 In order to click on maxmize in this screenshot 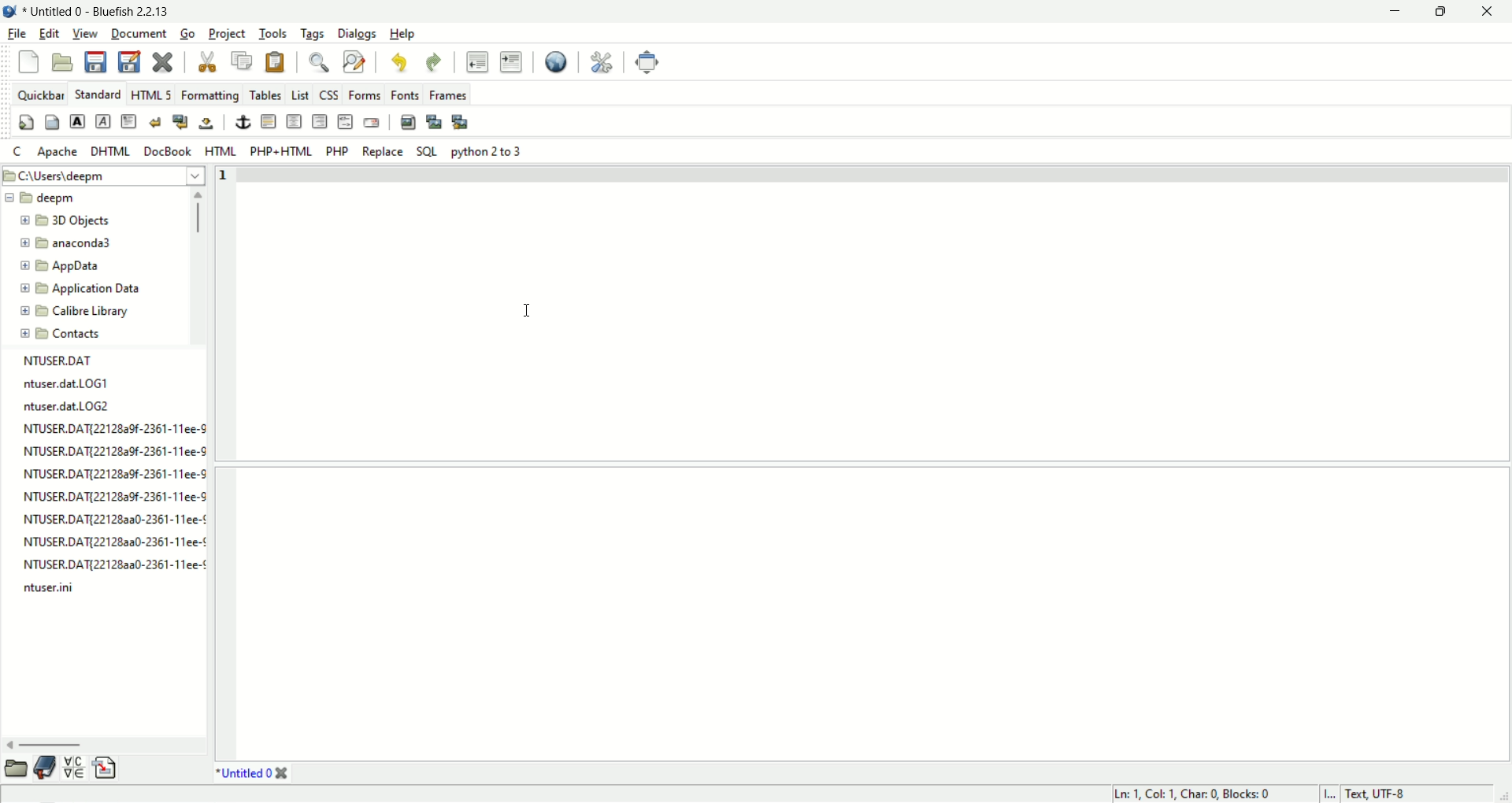, I will do `click(1443, 13)`.